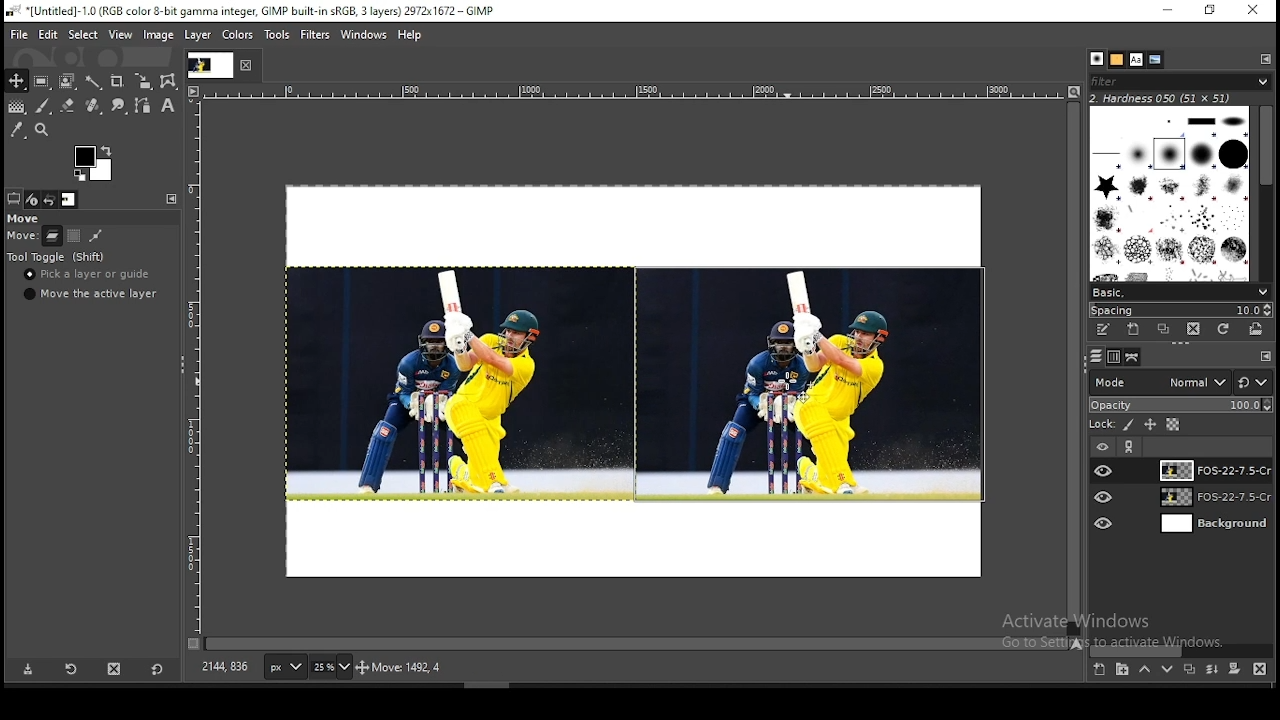  Describe the element at coordinates (1211, 10) in the screenshot. I see `Maximise ` at that location.